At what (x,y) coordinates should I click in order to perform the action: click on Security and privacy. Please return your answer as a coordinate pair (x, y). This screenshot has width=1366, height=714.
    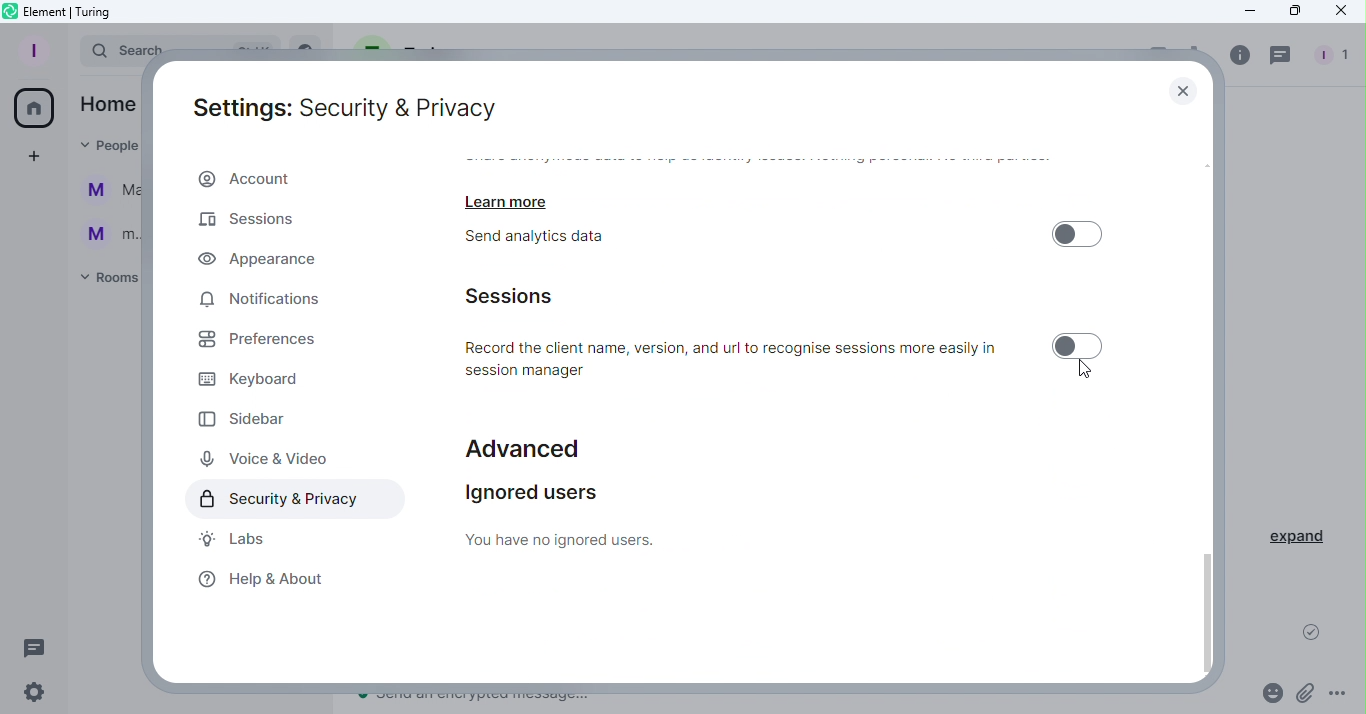
    Looking at the image, I should click on (290, 498).